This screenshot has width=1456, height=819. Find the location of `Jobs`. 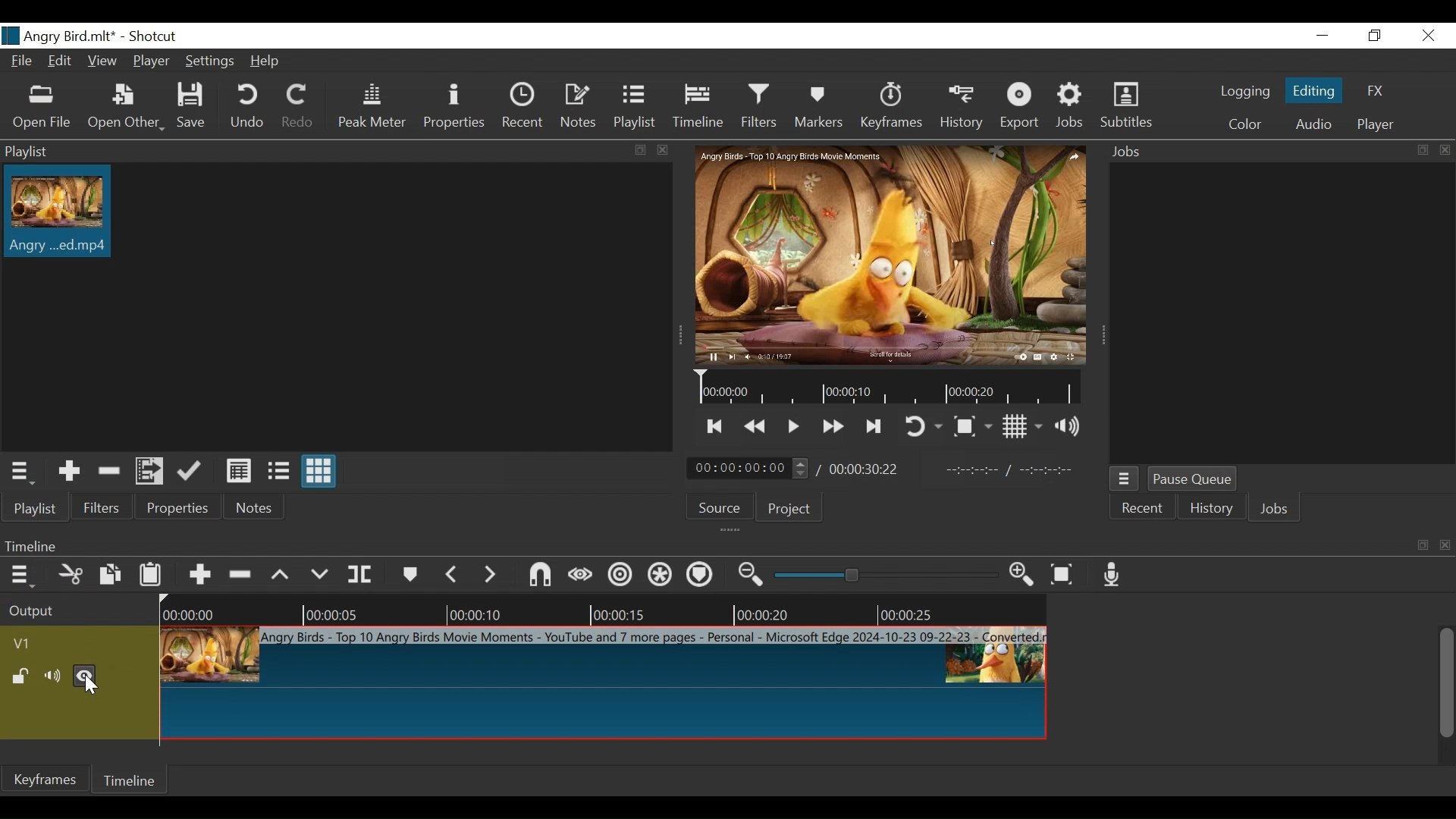

Jobs is located at coordinates (1276, 510).